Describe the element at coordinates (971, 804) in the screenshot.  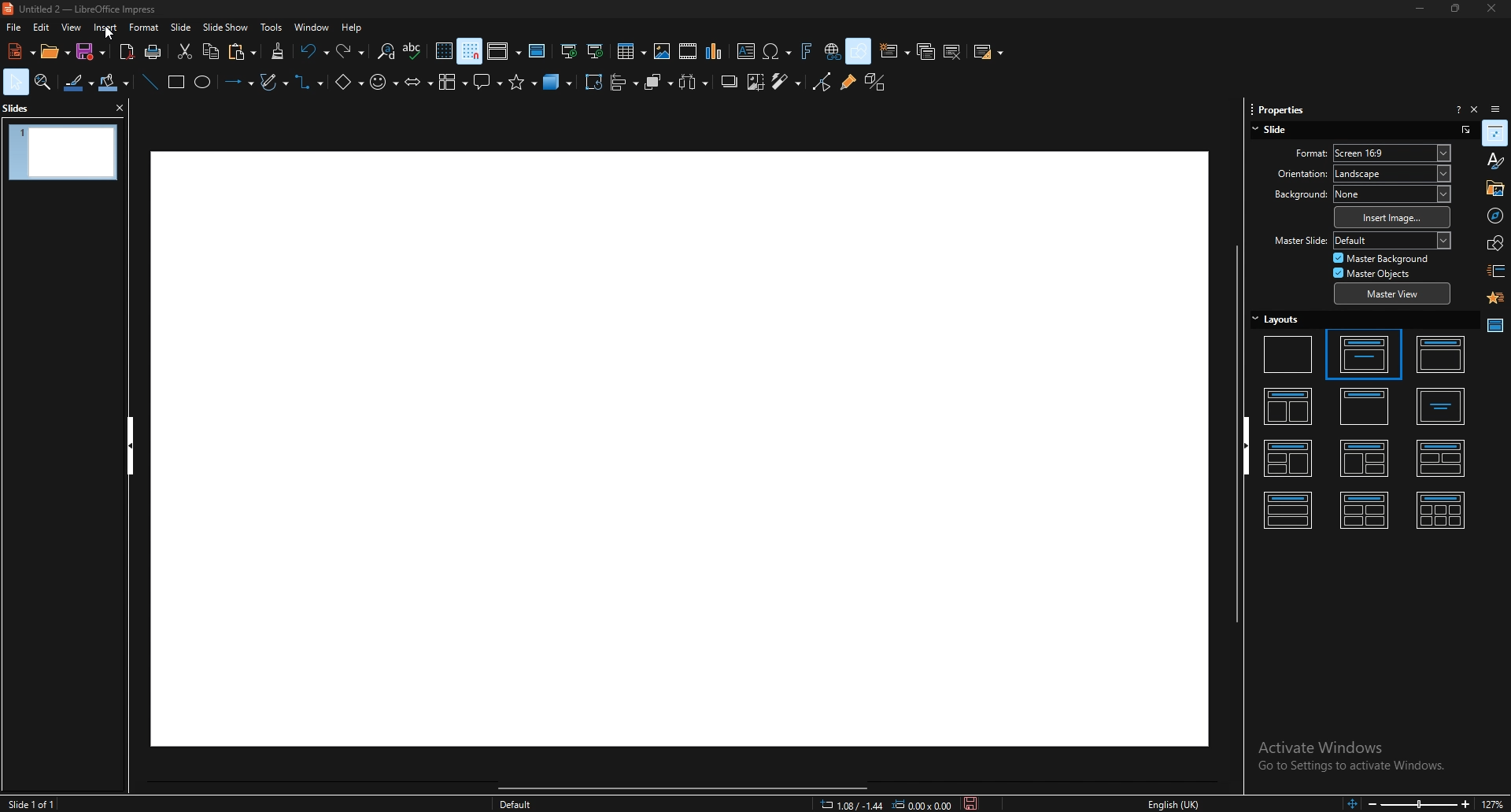
I see `click to save last change` at that location.